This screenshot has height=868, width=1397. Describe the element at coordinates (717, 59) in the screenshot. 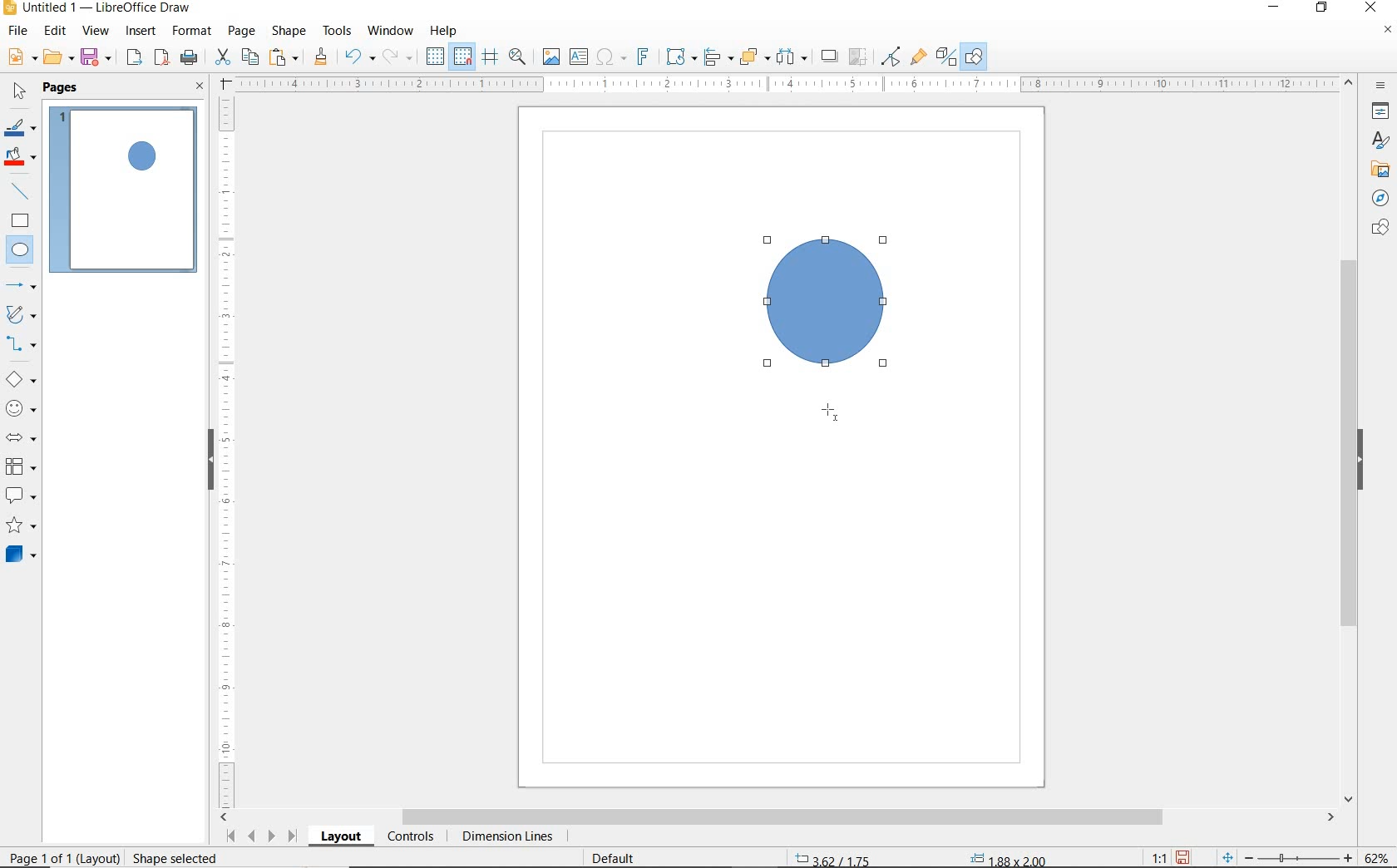

I see `ALIGN OBJECTS` at that location.